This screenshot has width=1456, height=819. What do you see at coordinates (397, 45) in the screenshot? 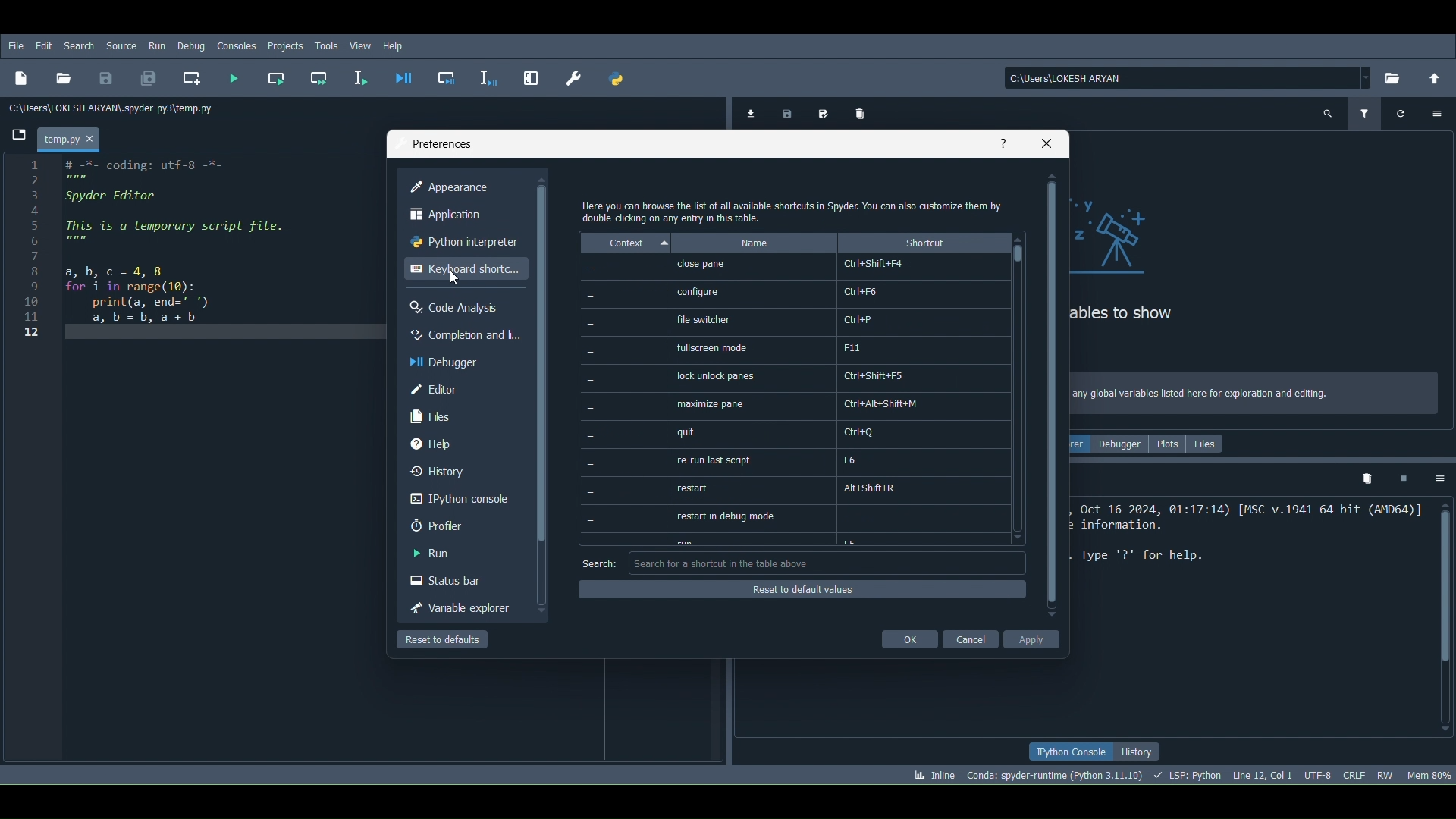
I see `Help` at bounding box center [397, 45].